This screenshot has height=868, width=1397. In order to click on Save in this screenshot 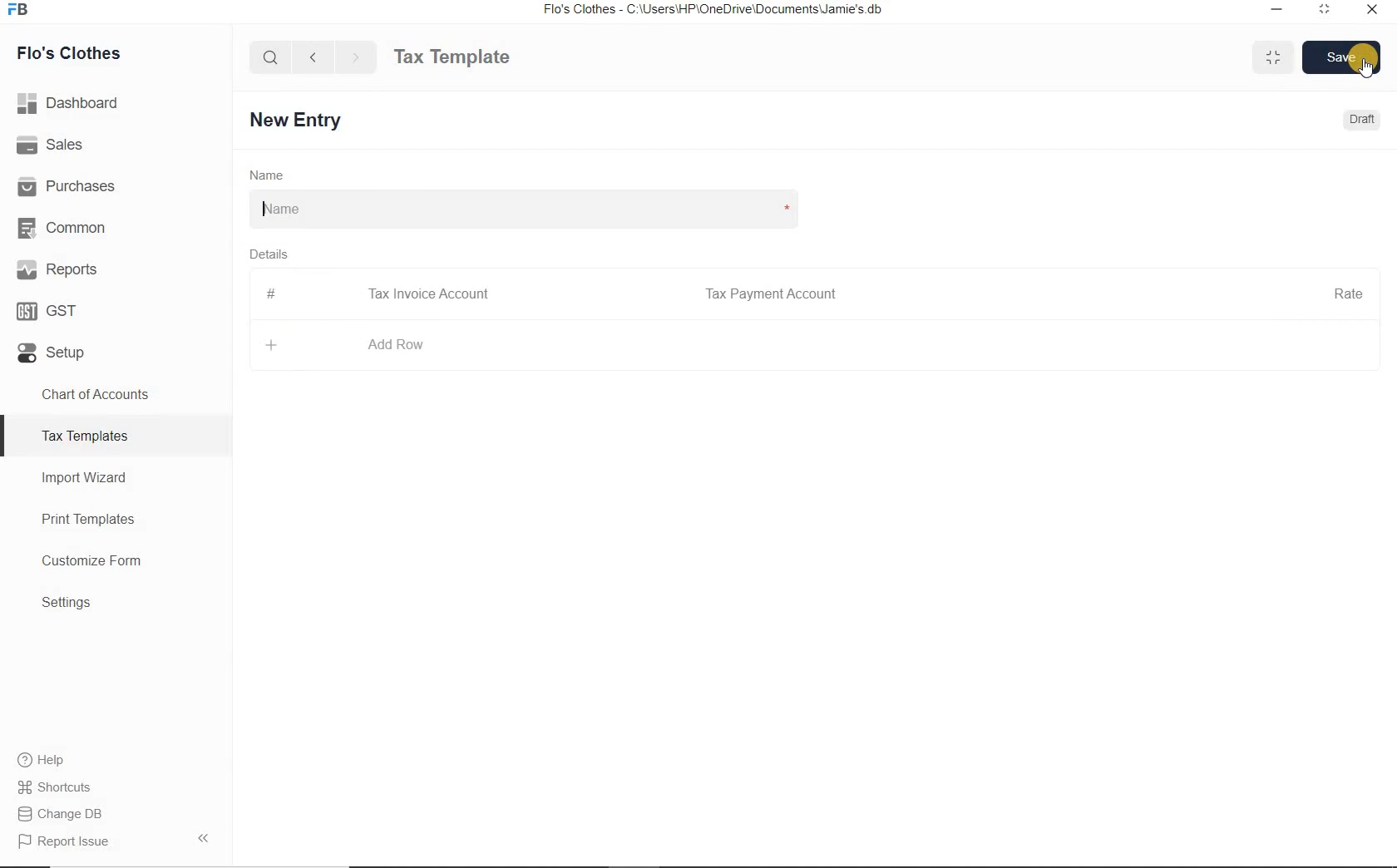, I will do `click(1342, 57)`.